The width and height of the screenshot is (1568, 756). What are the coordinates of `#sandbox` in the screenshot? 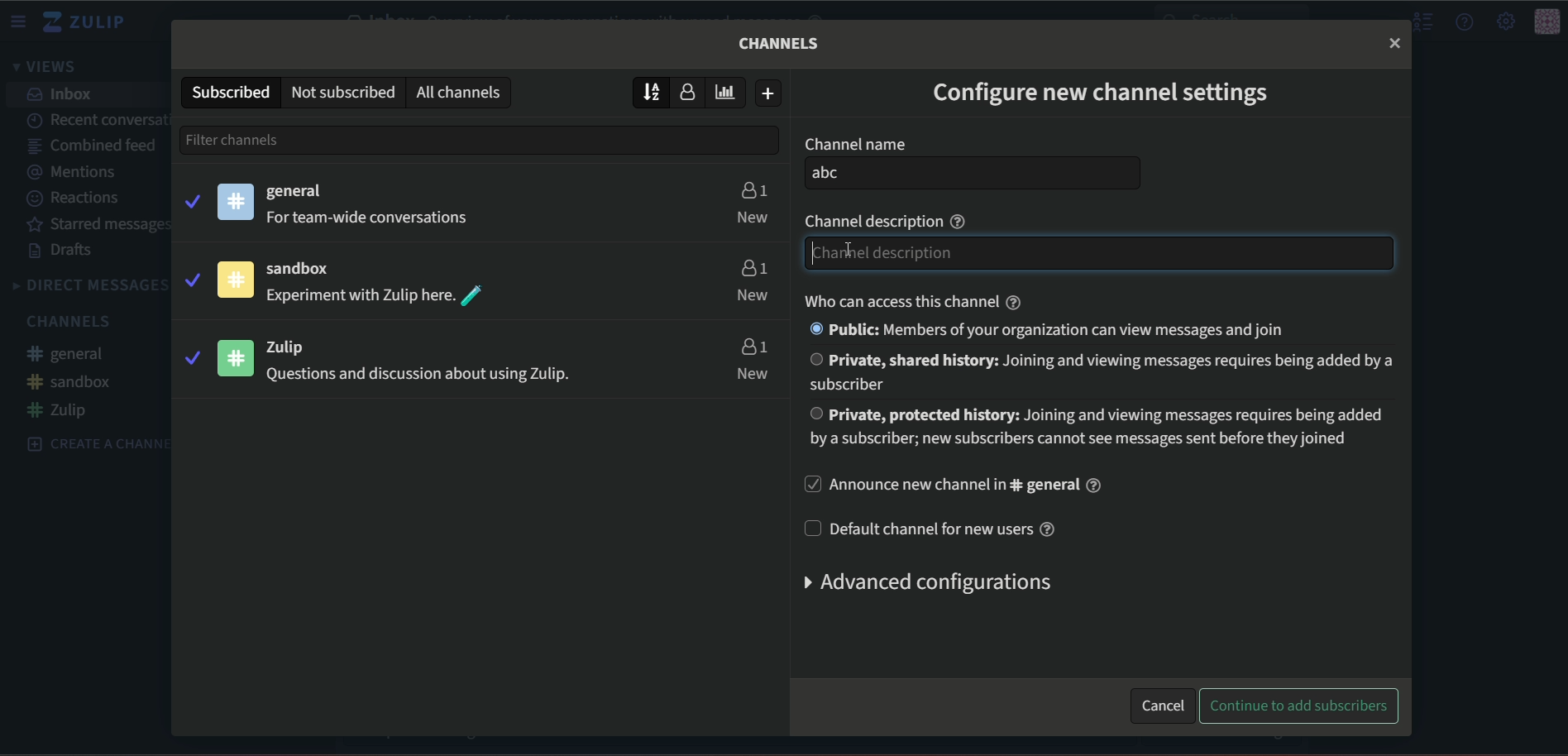 It's located at (70, 381).